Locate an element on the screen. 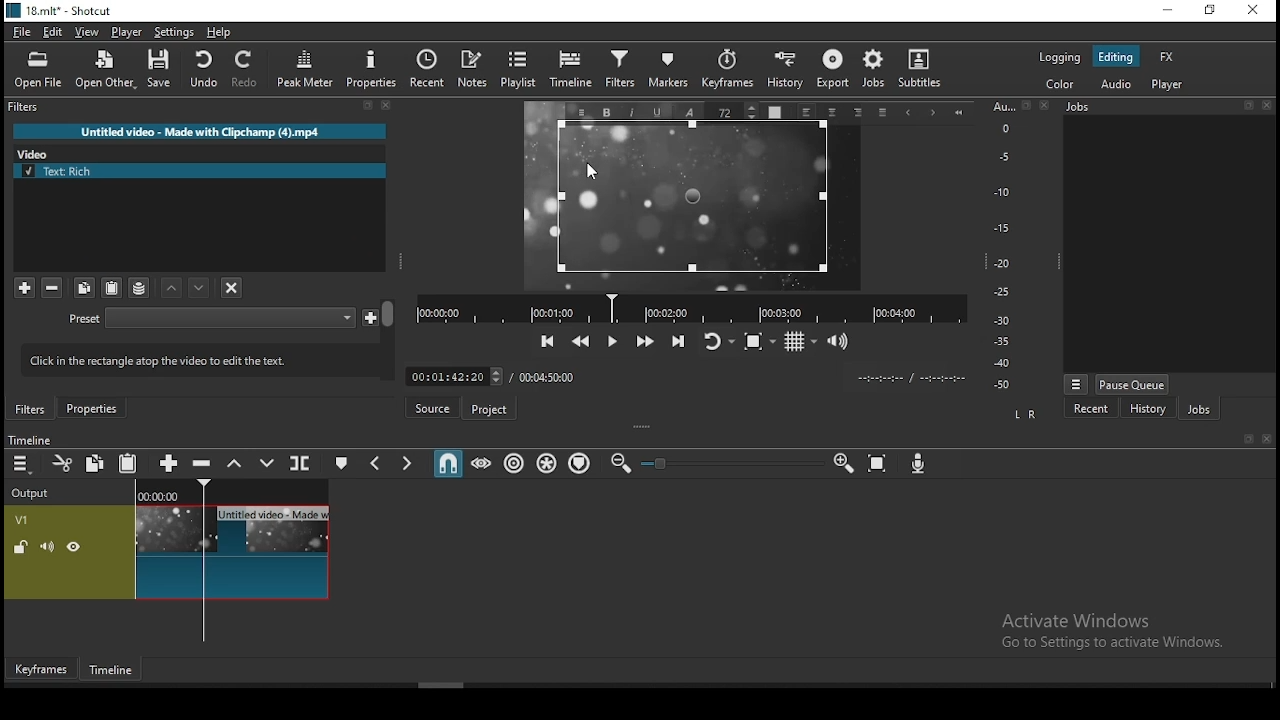  audio is located at coordinates (1115, 85).